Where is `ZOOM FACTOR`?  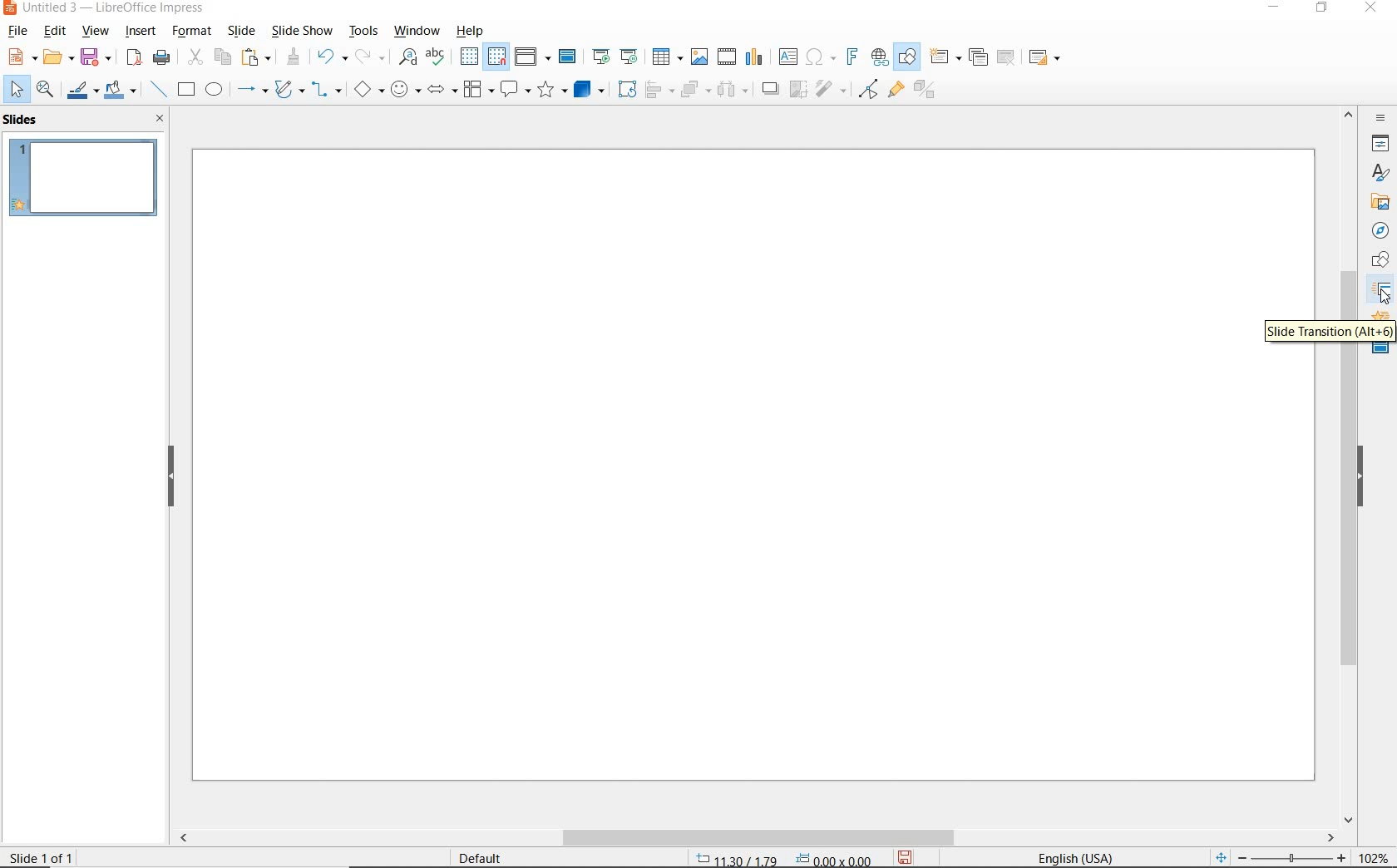
ZOOM FACTOR is located at coordinates (1375, 856).